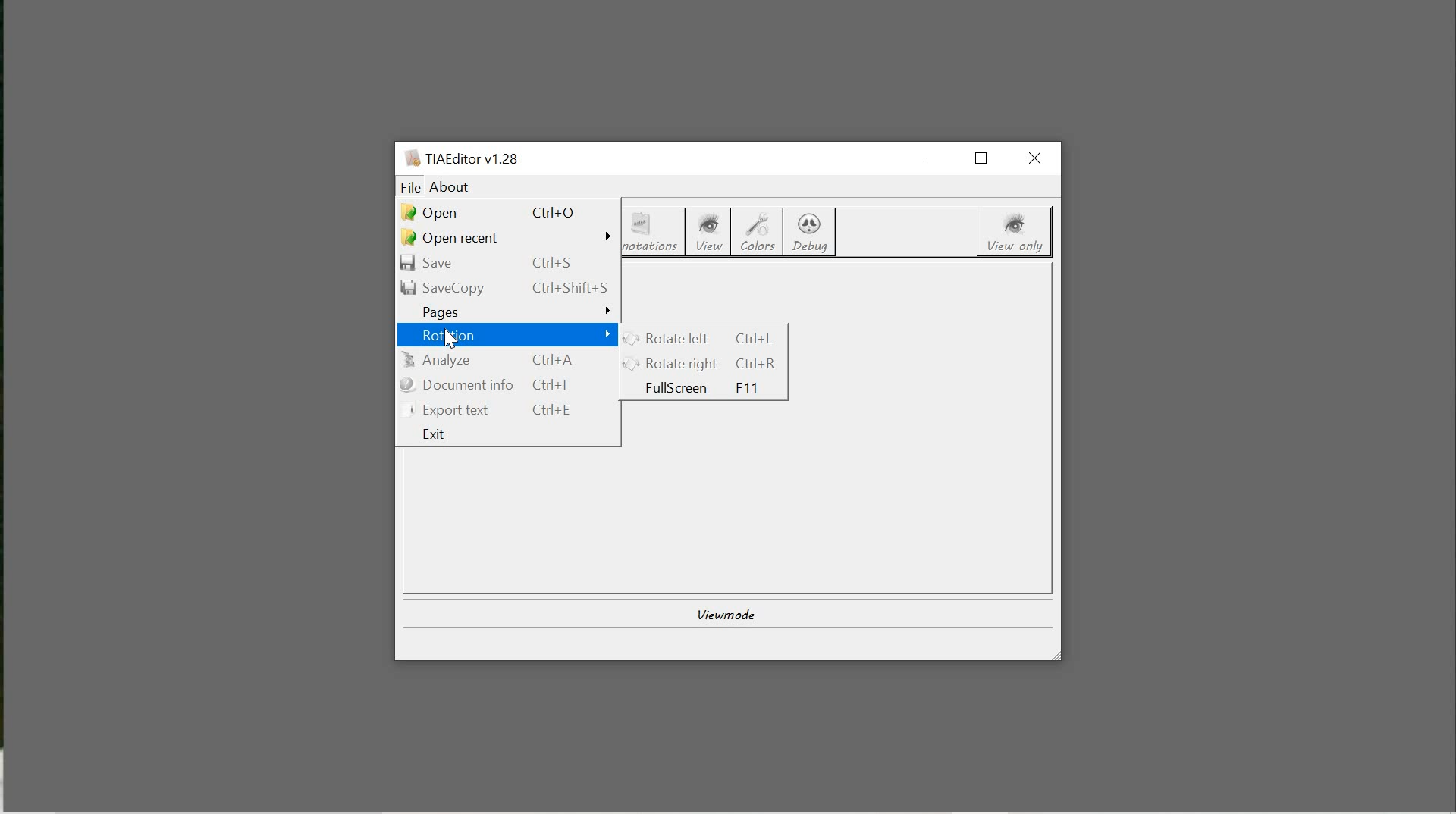  I want to click on open, so click(501, 210).